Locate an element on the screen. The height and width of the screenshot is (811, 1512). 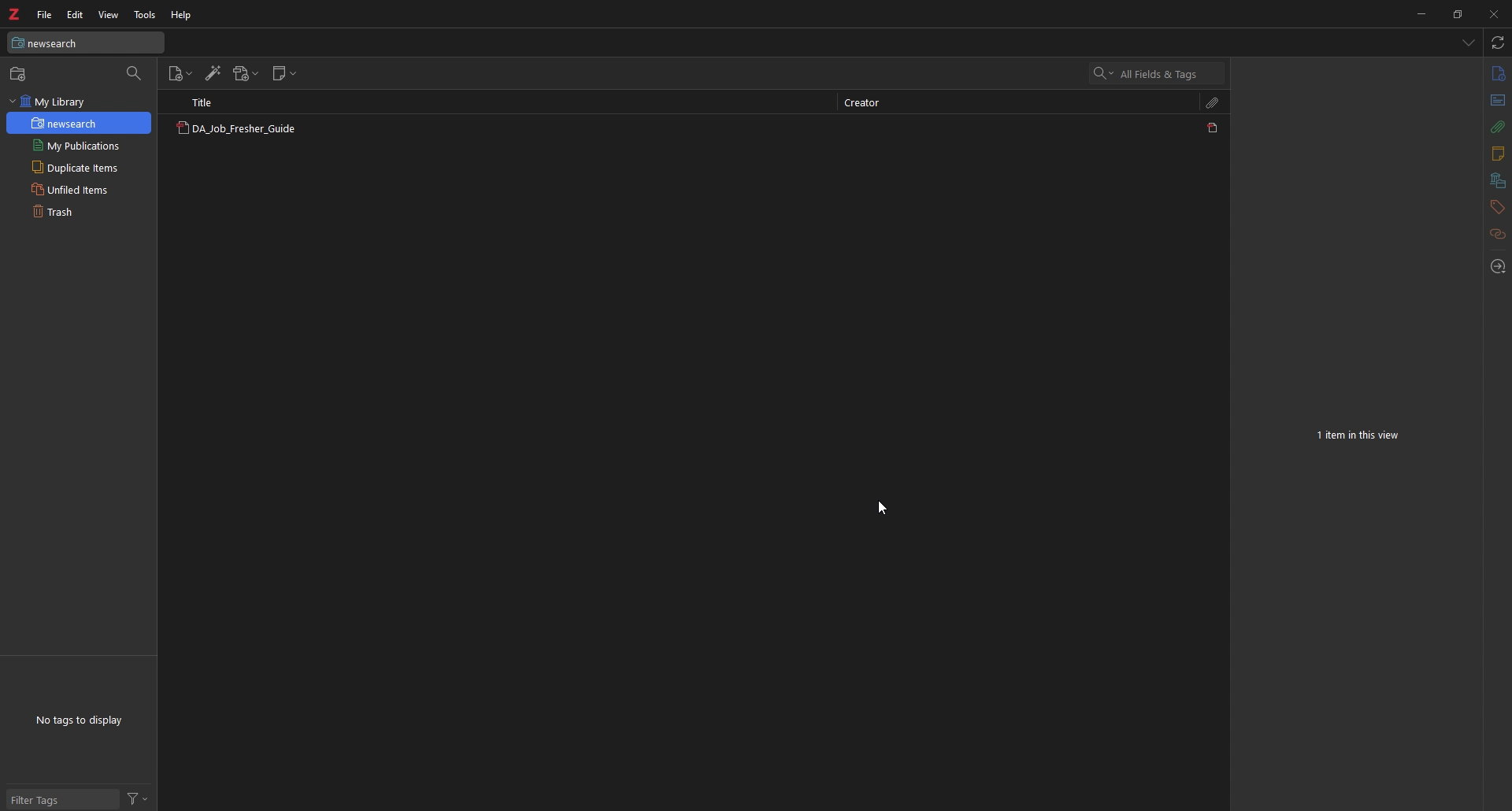
help is located at coordinates (182, 16).